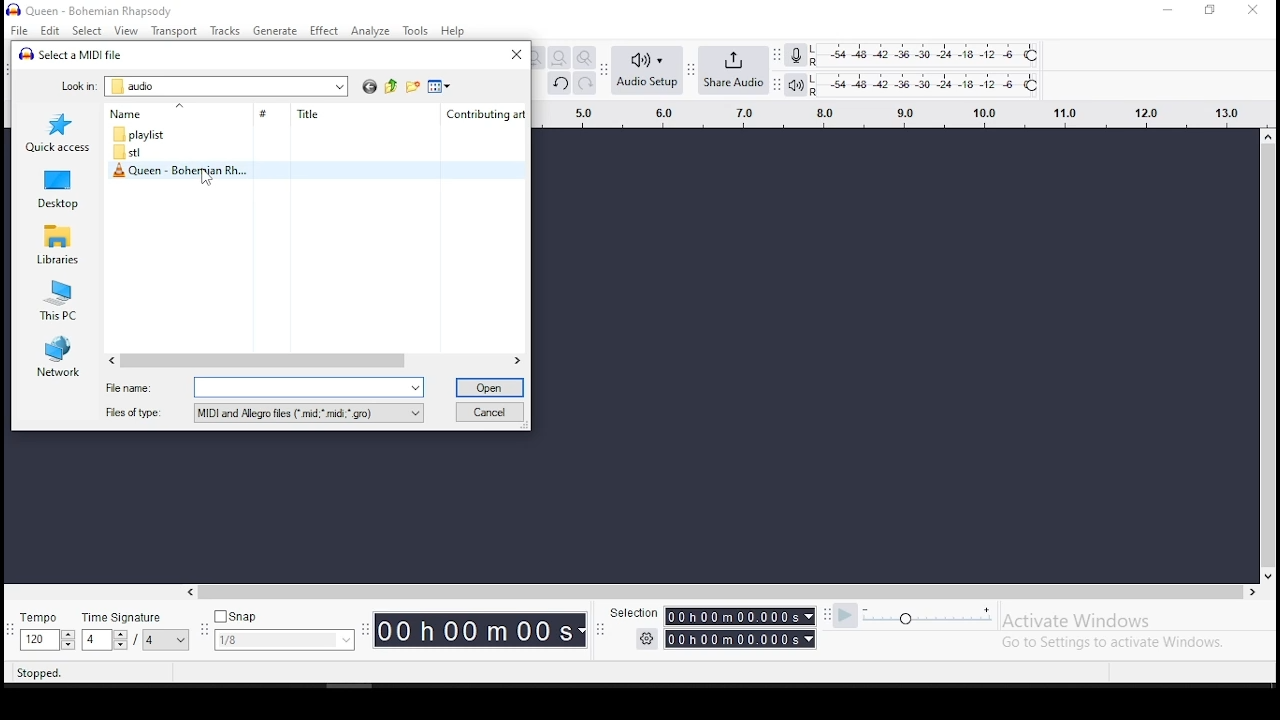 The image size is (1280, 720). Describe the element at coordinates (646, 639) in the screenshot. I see `settings` at that location.